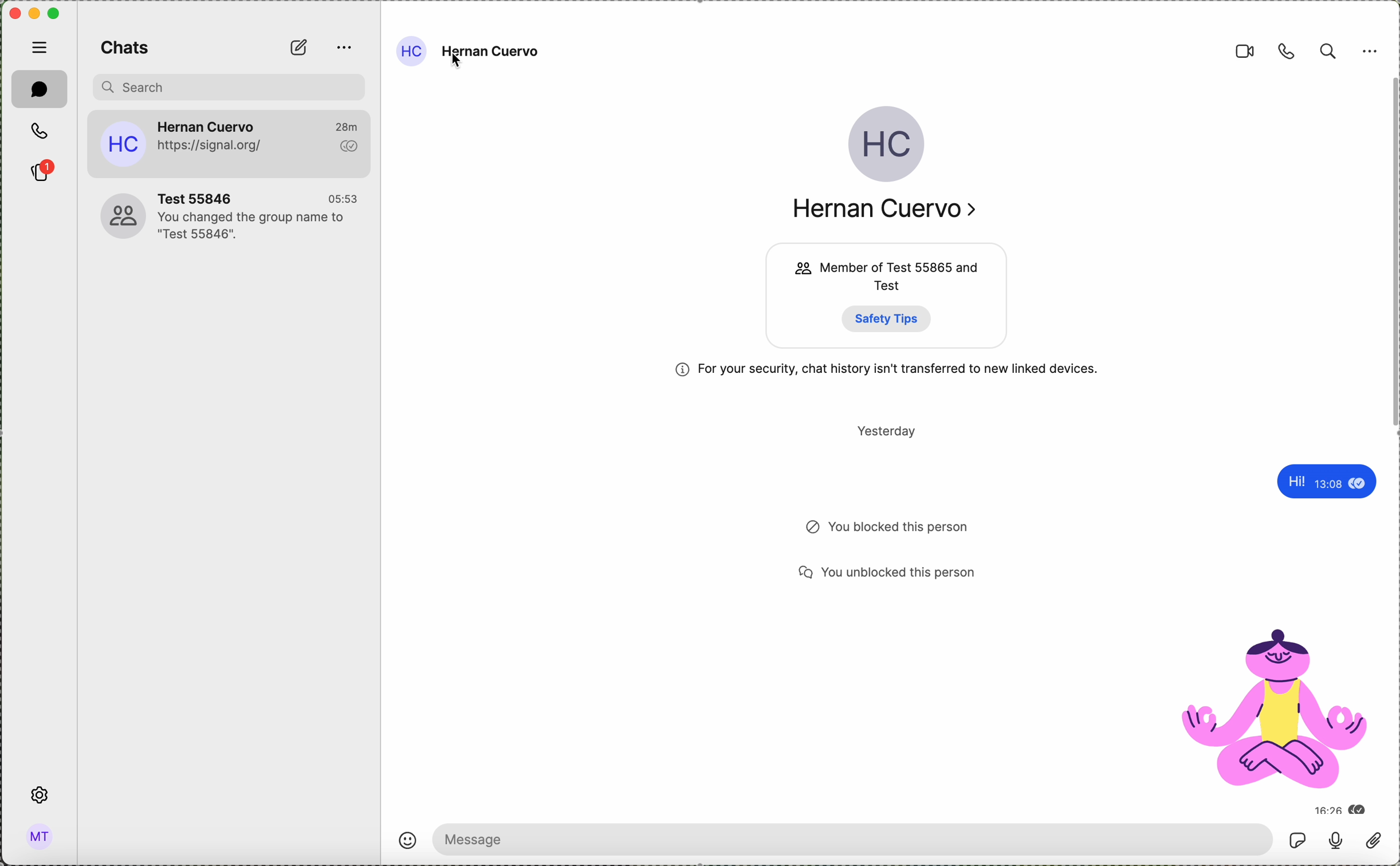 This screenshot has height=866, width=1400. What do you see at coordinates (1327, 50) in the screenshot?
I see `search` at bounding box center [1327, 50].